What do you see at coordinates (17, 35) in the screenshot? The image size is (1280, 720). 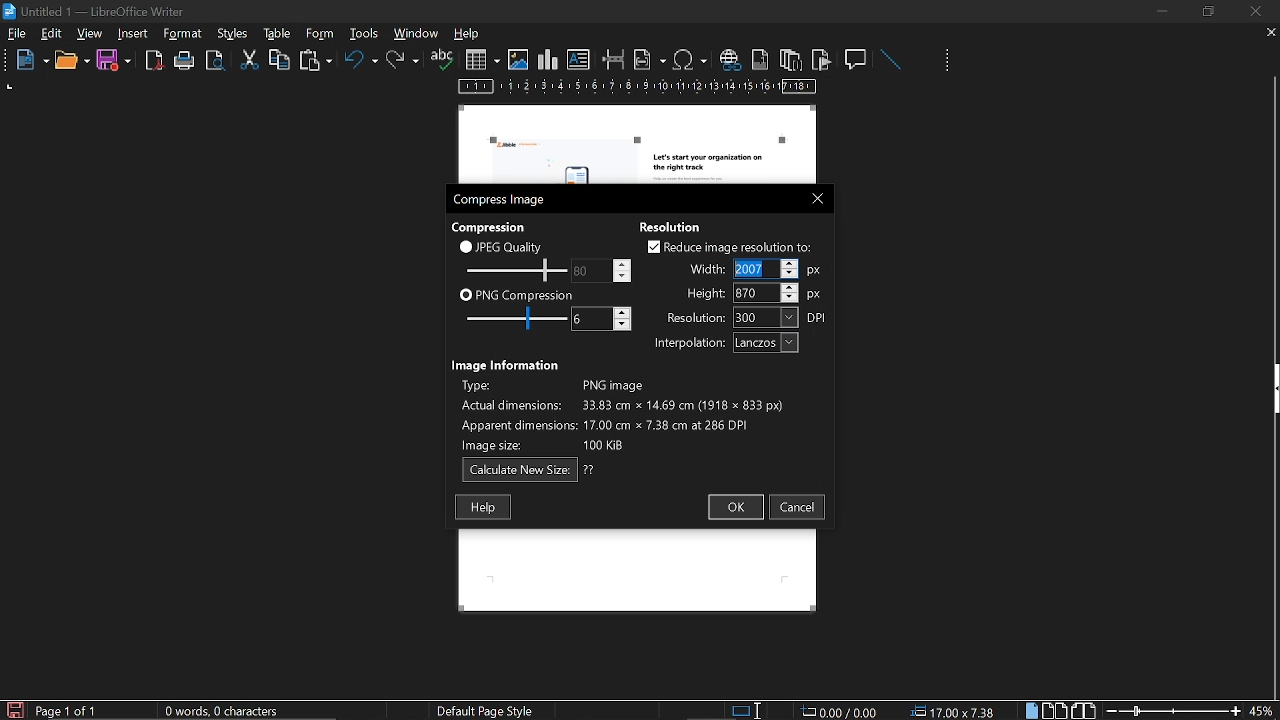 I see `file` at bounding box center [17, 35].